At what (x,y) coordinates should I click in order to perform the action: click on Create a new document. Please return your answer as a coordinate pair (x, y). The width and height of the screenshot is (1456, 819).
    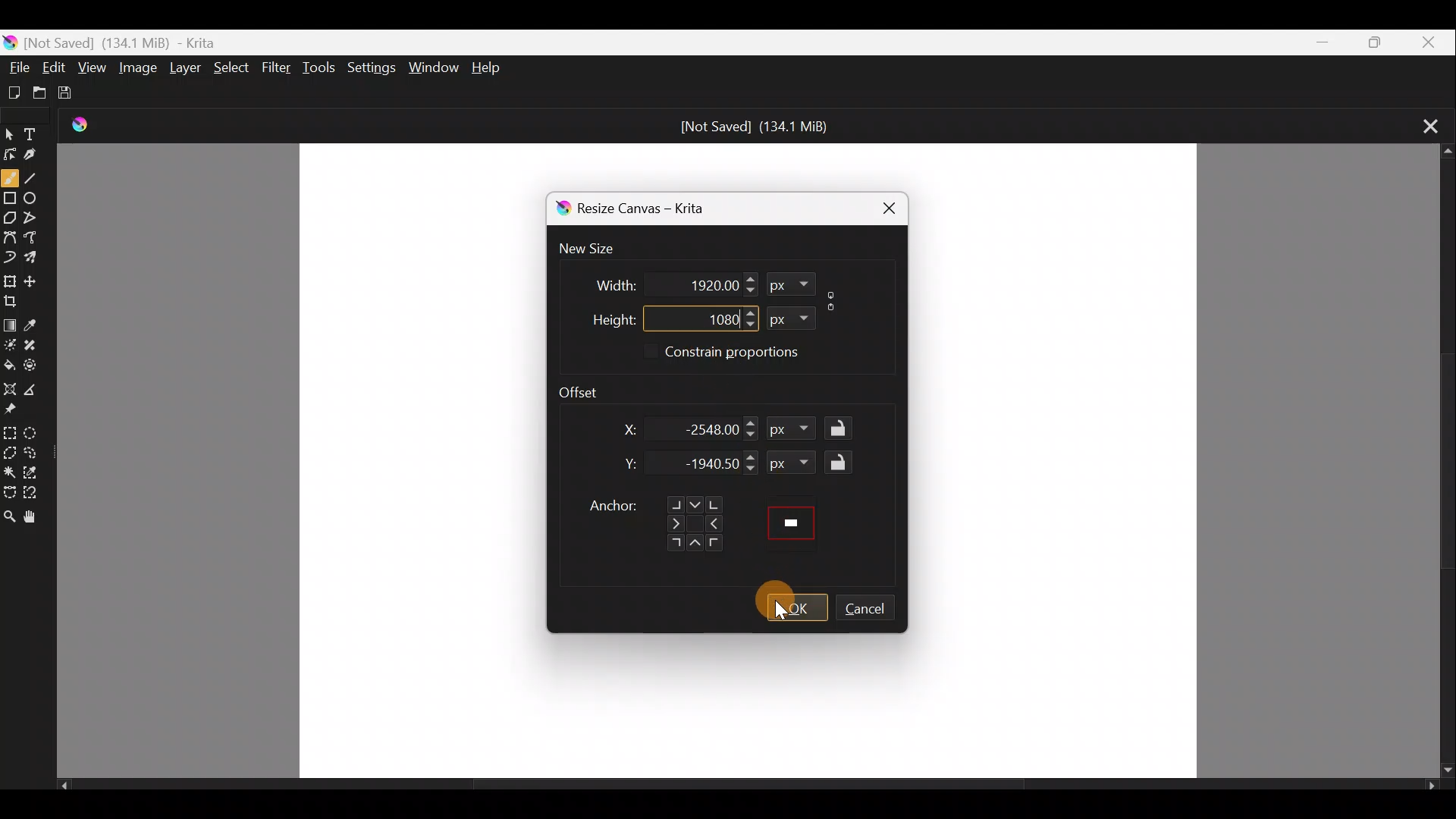
    Looking at the image, I should click on (15, 92).